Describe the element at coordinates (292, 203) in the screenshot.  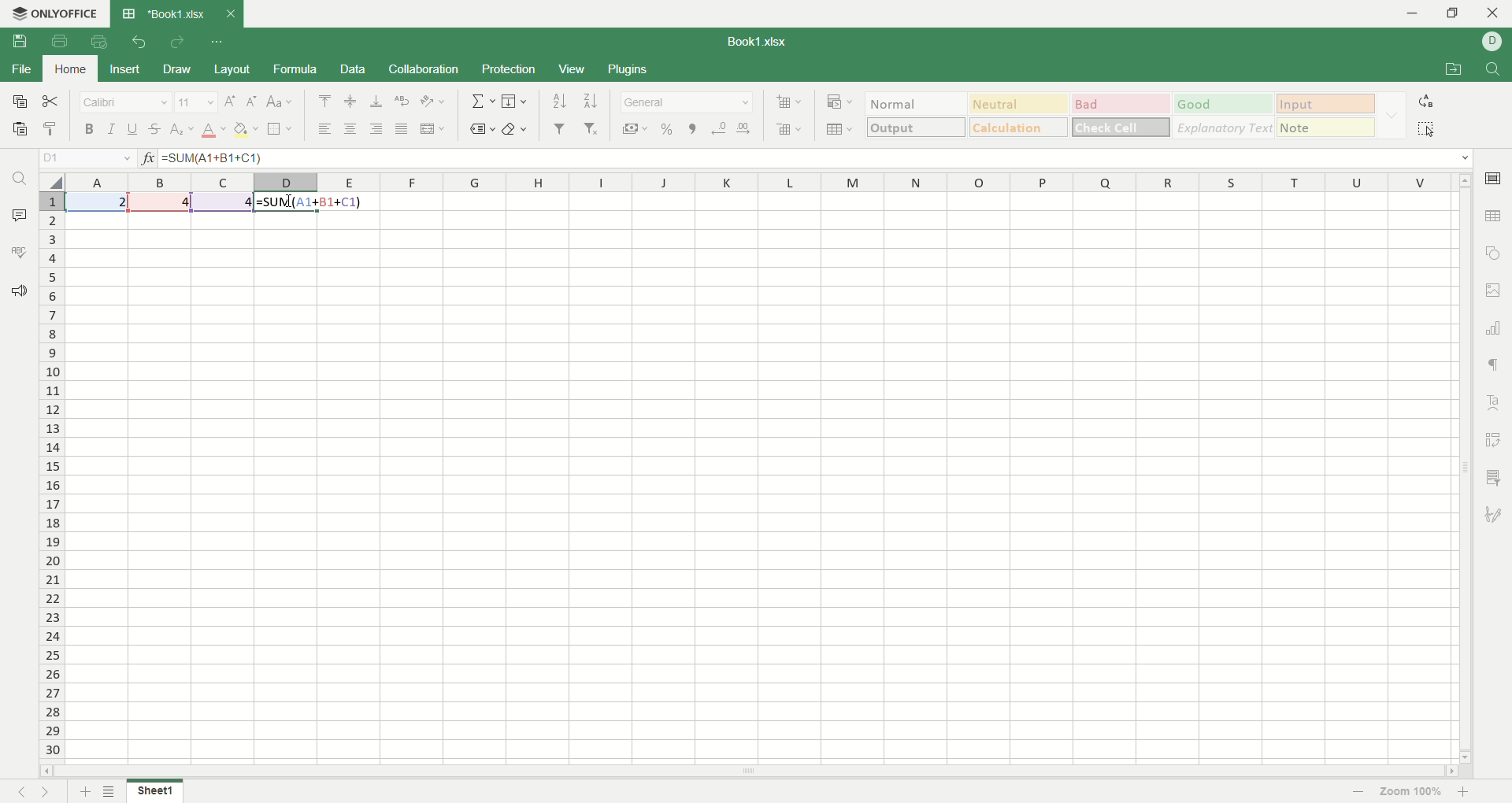
I see `cursor` at that location.